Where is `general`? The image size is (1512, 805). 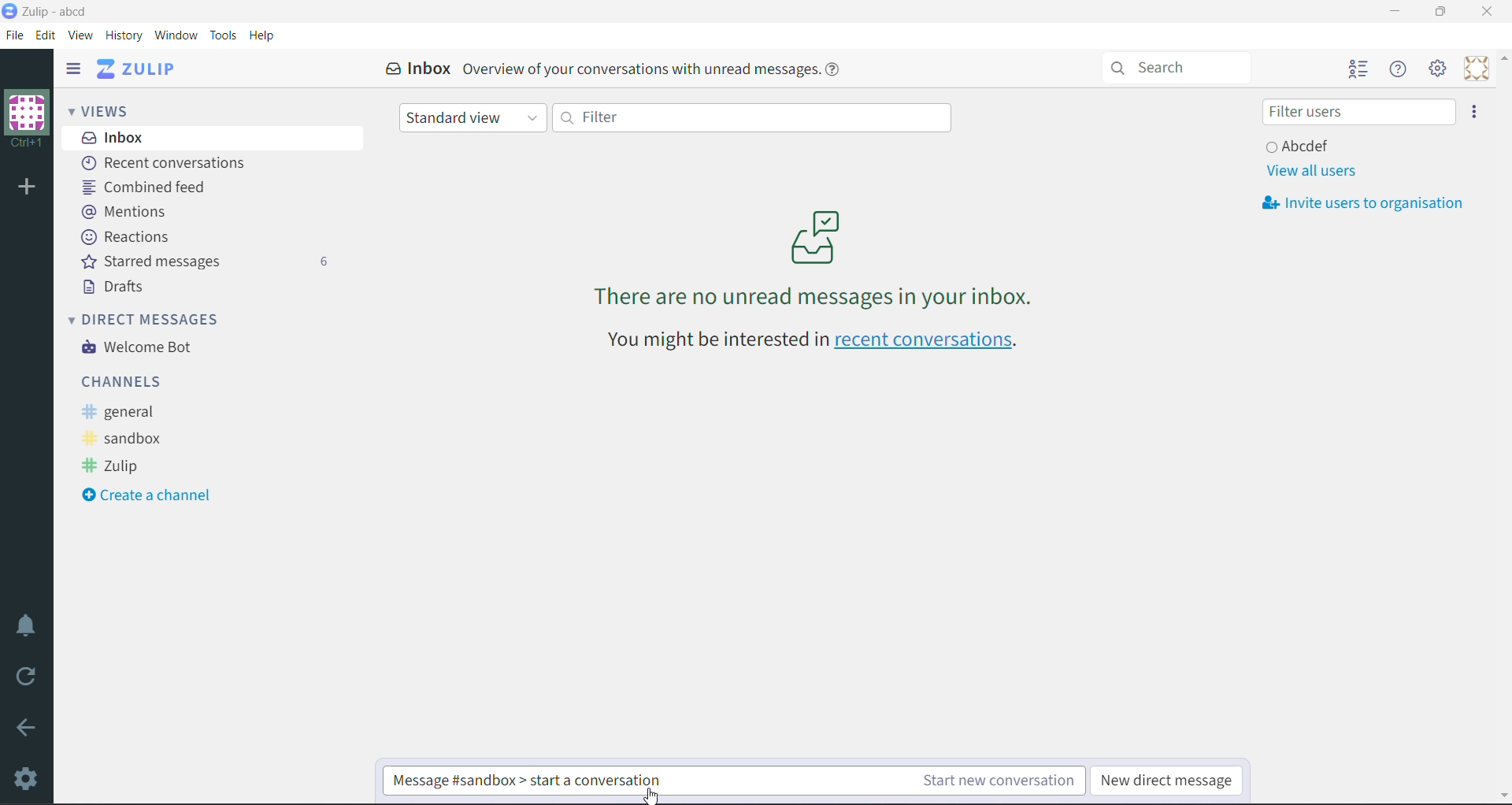 general is located at coordinates (124, 412).